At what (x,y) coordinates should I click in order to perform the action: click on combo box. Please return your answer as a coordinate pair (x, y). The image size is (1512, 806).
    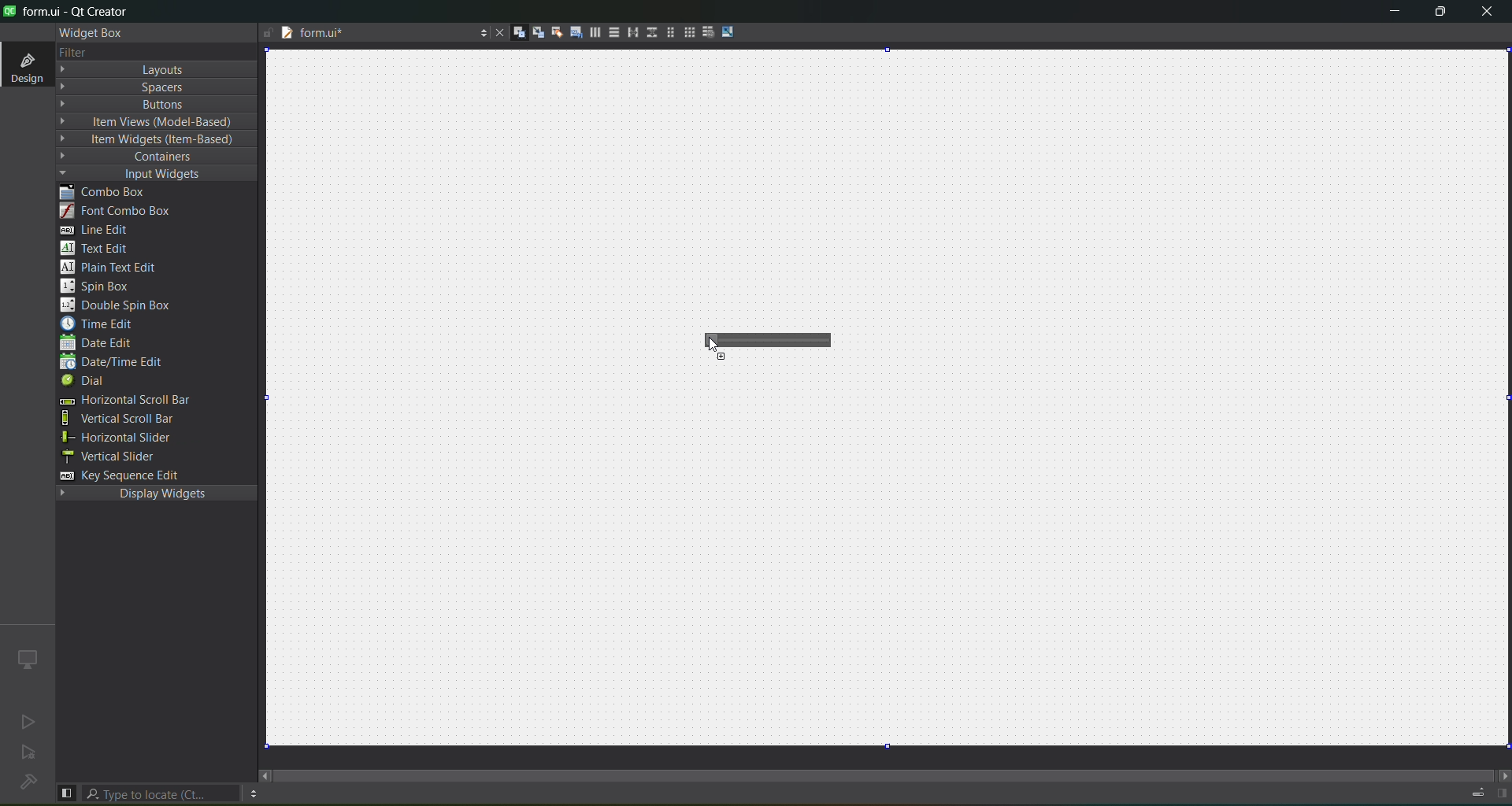
    Looking at the image, I should click on (114, 190).